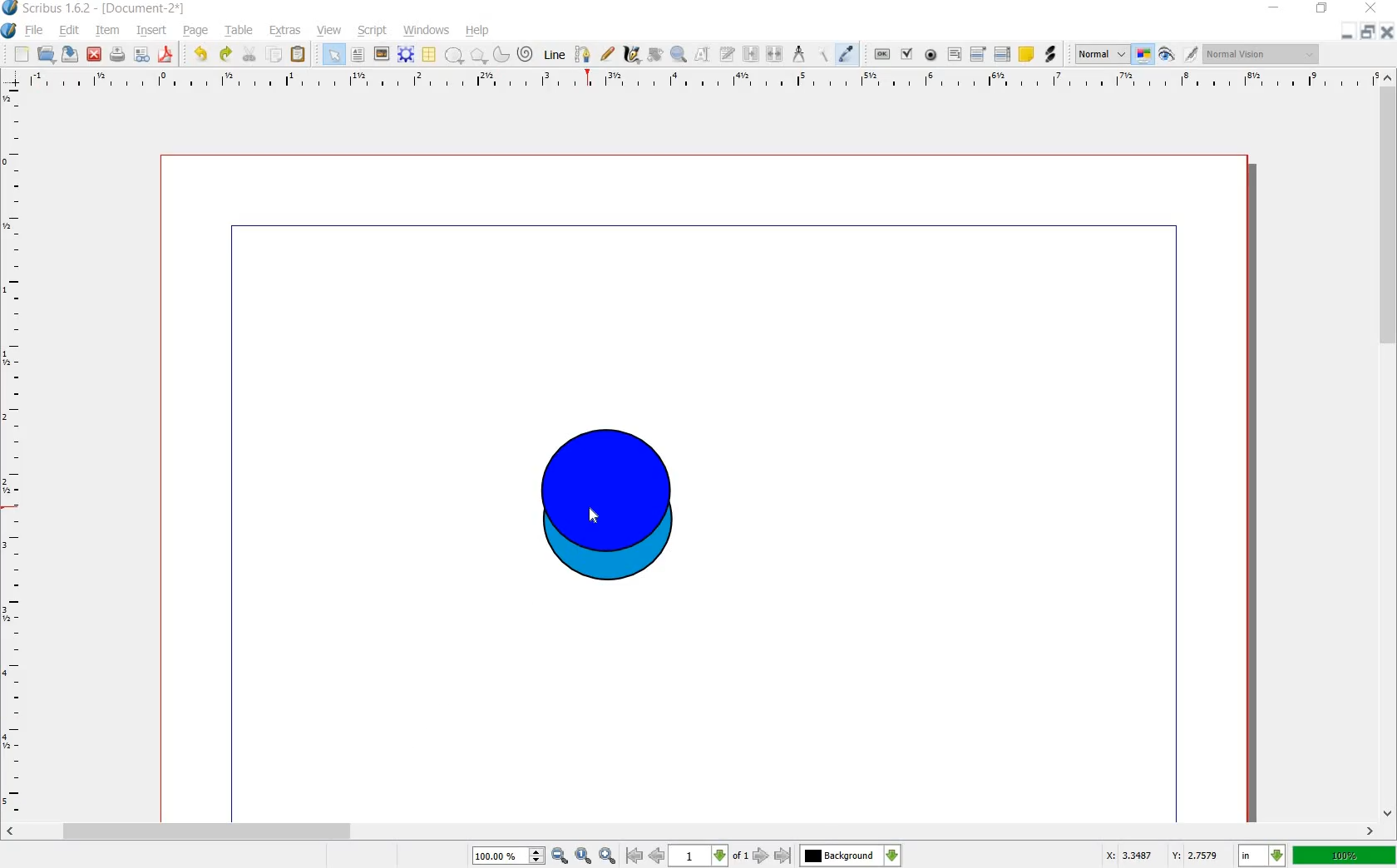 The height and width of the screenshot is (868, 1397). I want to click on eye dropper, so click(846, 54).